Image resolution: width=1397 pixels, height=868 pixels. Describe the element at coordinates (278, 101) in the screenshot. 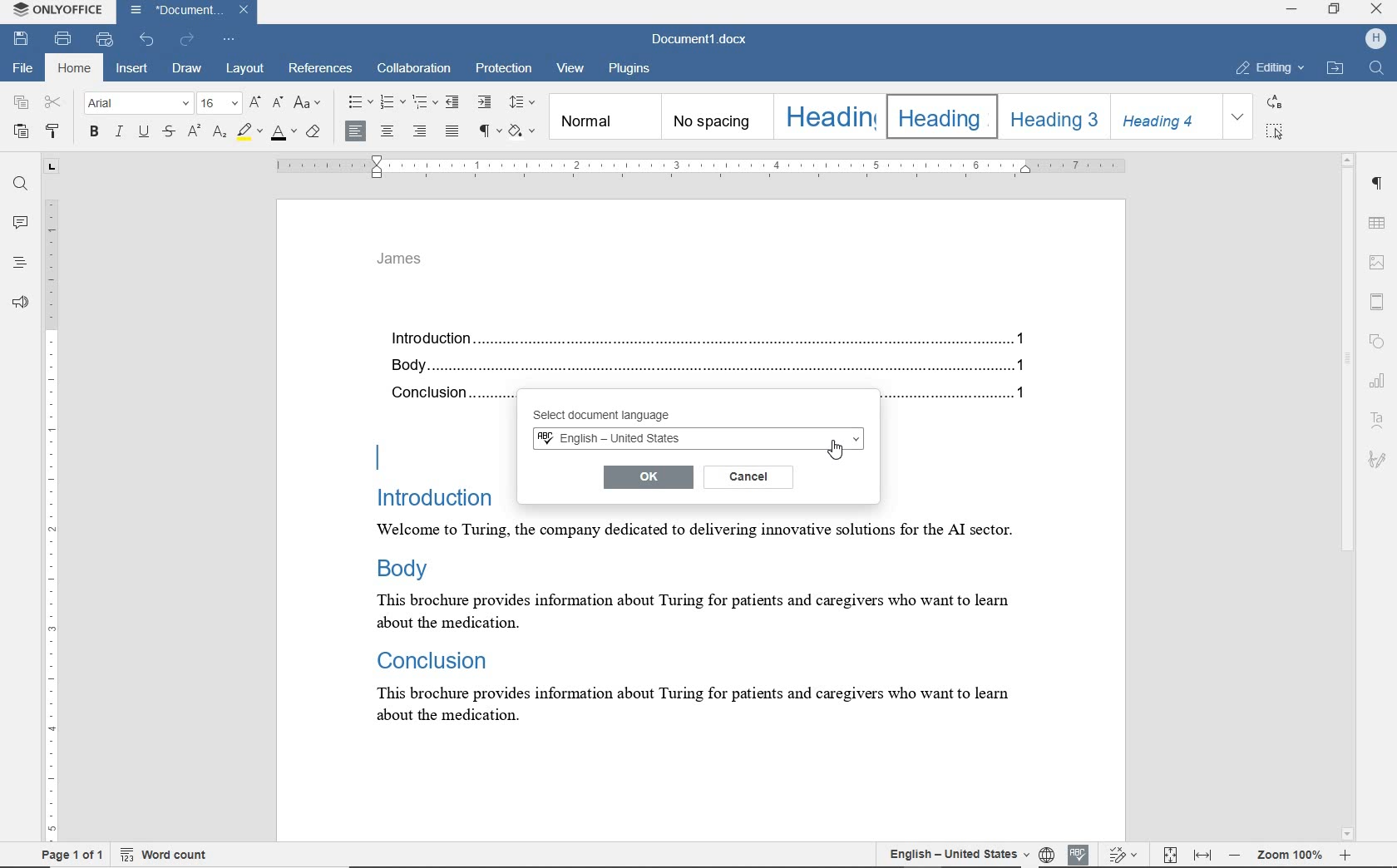

I see `decrement font size` at that location.